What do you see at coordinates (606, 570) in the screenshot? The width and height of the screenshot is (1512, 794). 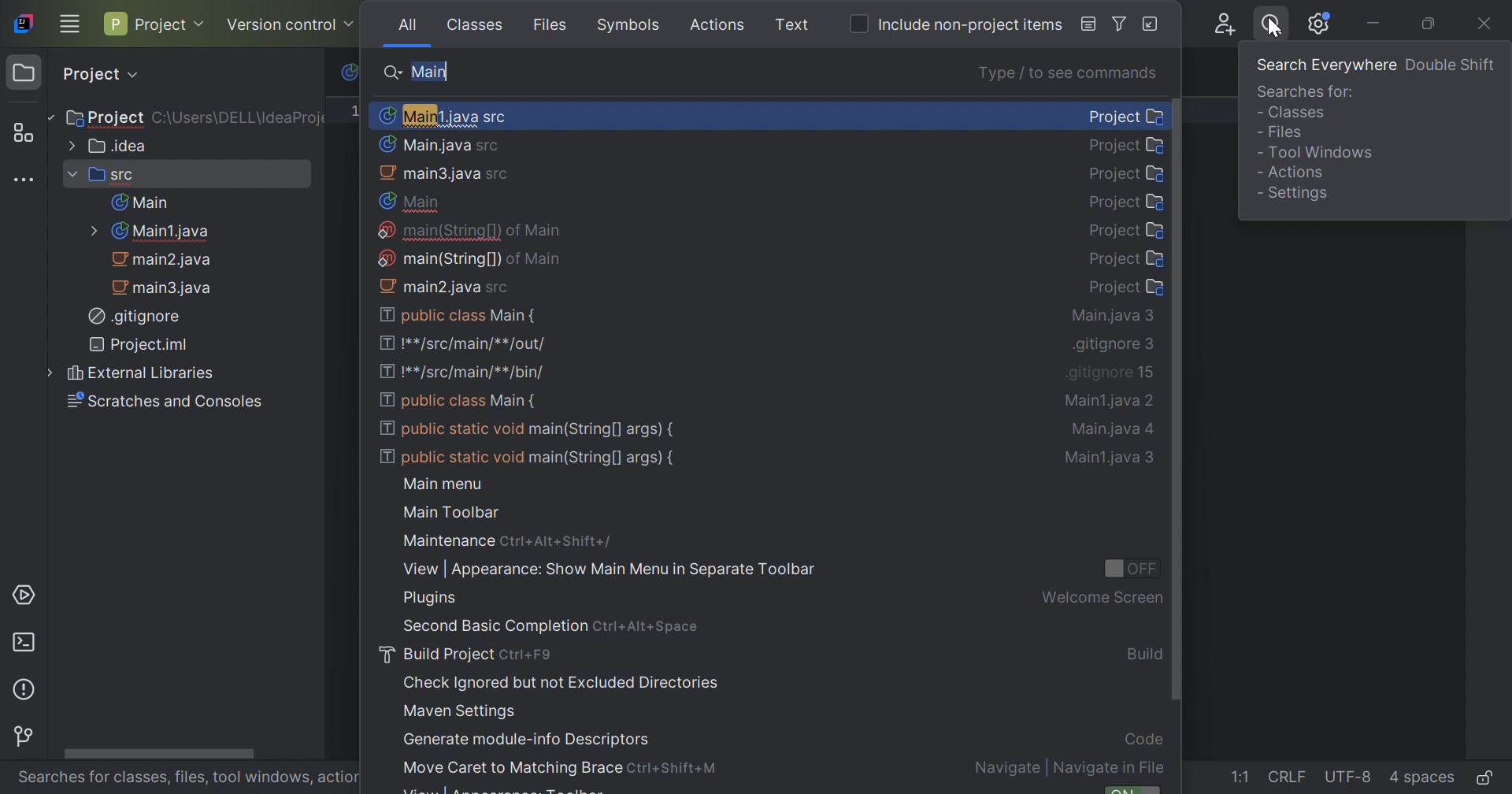 I see `View | Appearance: Show Main Menu in Separate Toolbar` at bounding box center [606, 570].